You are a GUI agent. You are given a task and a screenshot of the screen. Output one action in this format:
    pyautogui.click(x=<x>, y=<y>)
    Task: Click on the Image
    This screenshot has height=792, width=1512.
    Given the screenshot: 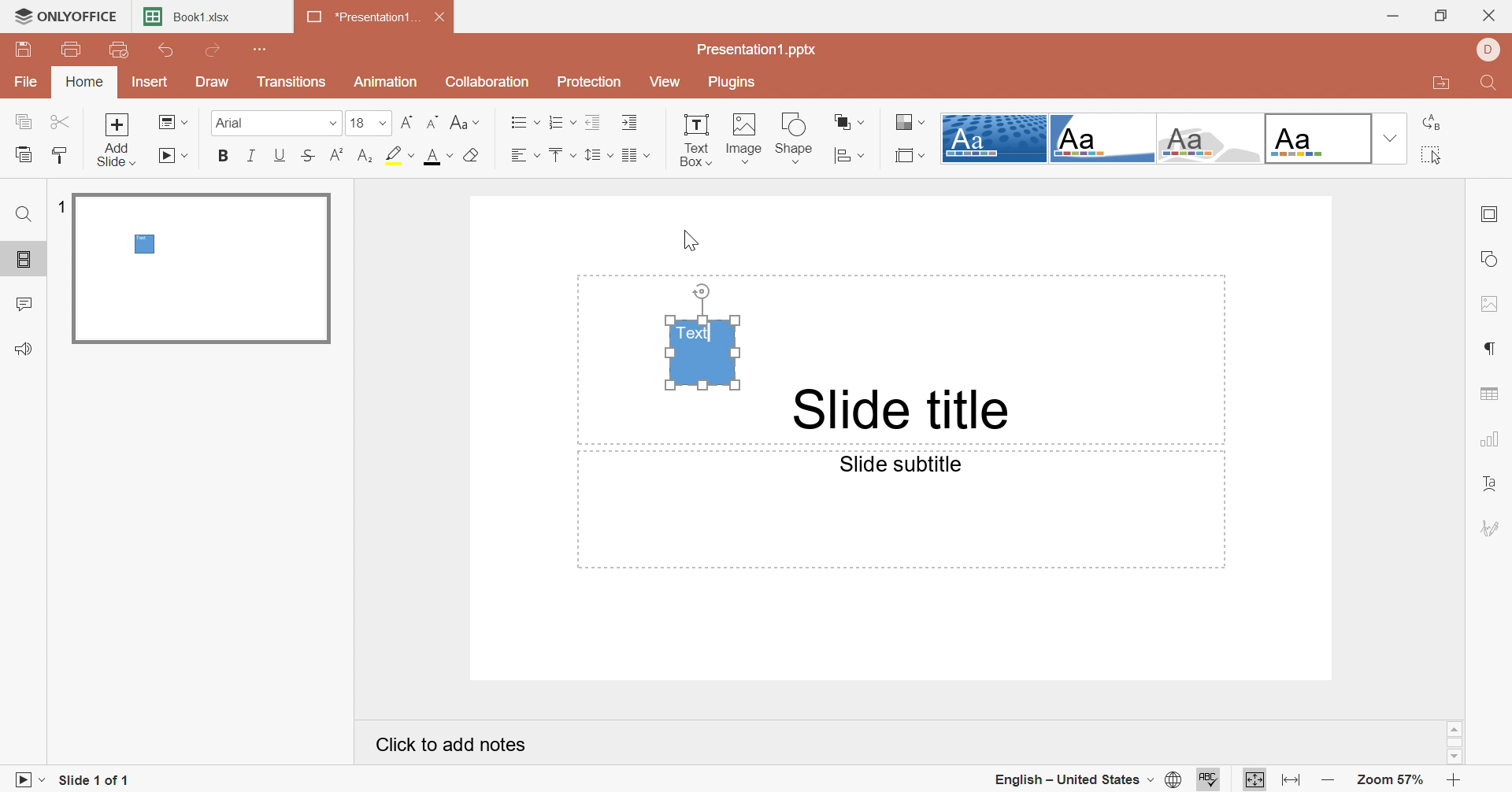 What is the action you would take?
    pyautogui.click(x=744, y=139)
    